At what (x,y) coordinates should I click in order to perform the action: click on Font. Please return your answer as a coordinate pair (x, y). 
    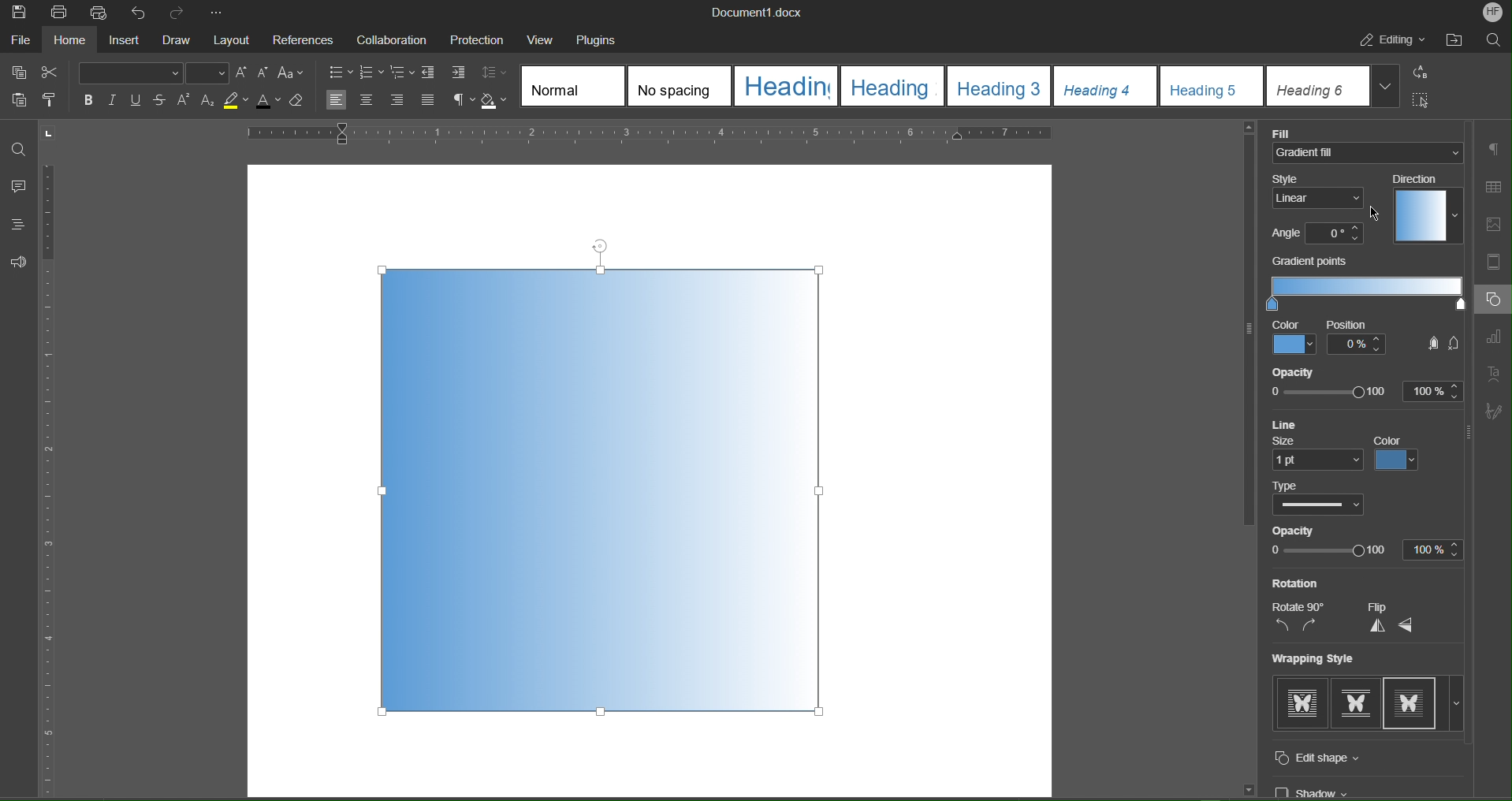
    Looking at the image, I should click on (129, 73).